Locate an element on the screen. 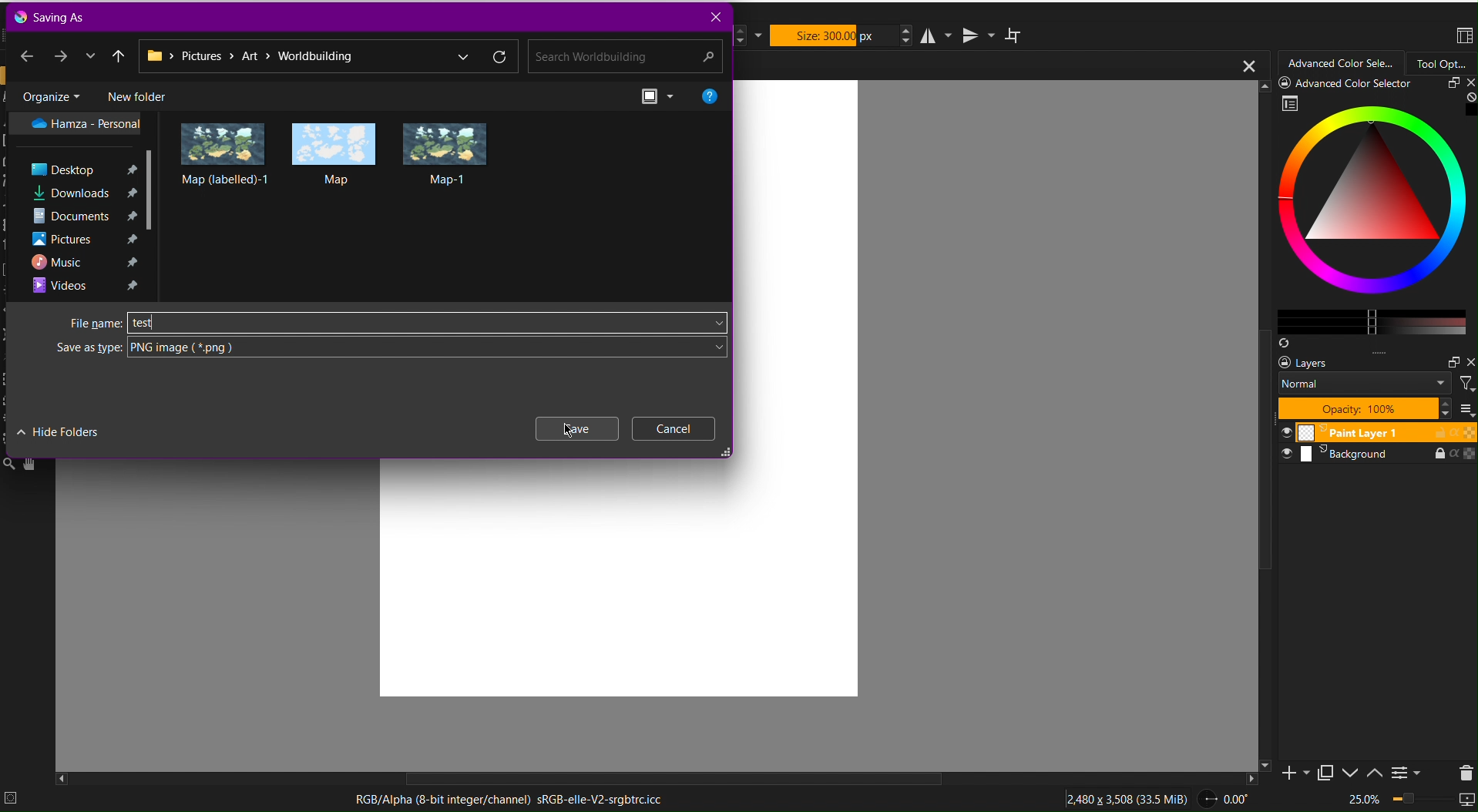 The height and width of the screenshot is (812, 1478). Save as type is located at coordinates (391, 347).